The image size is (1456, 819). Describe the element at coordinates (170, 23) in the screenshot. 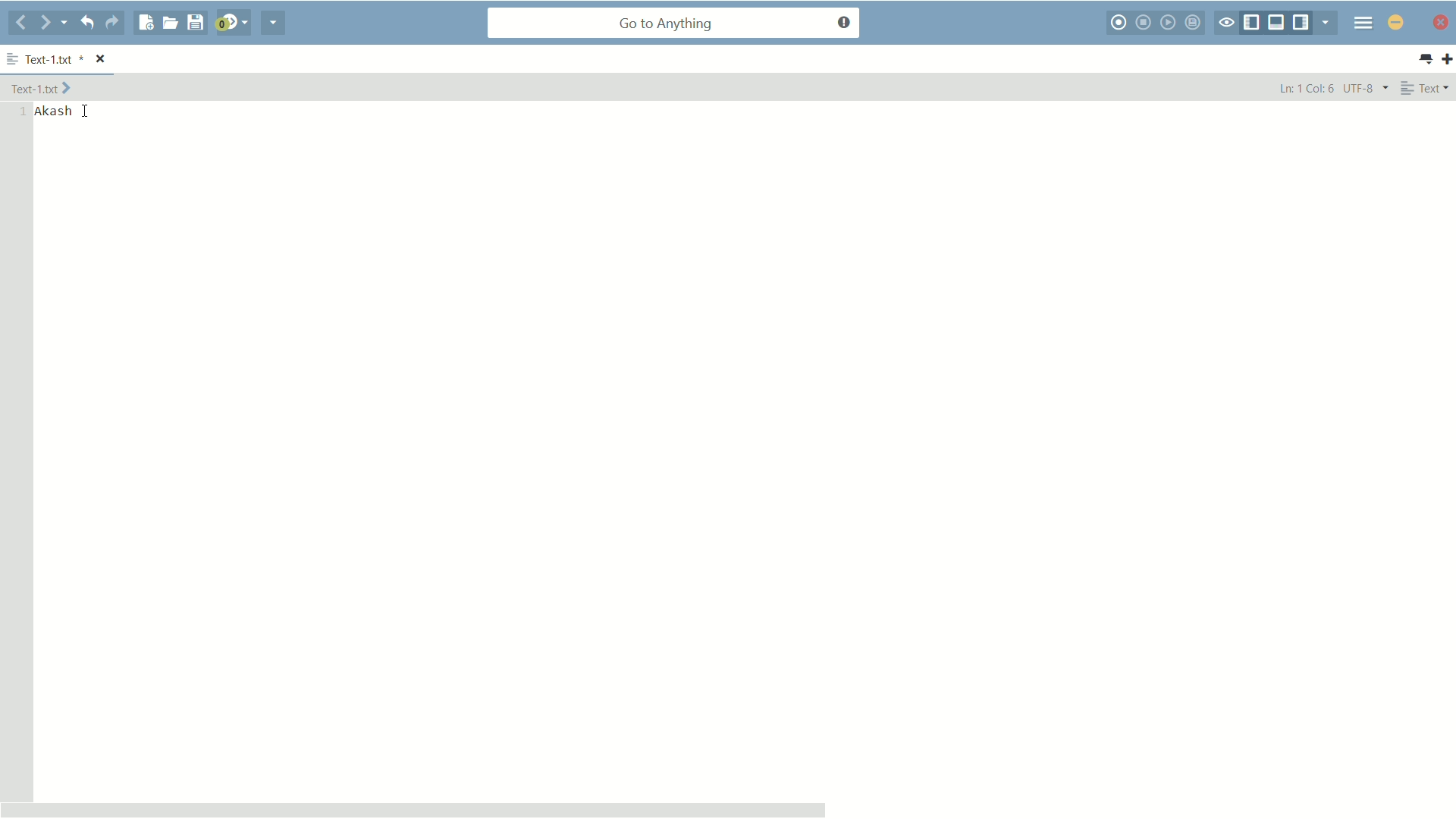

I see `open file` at that location.